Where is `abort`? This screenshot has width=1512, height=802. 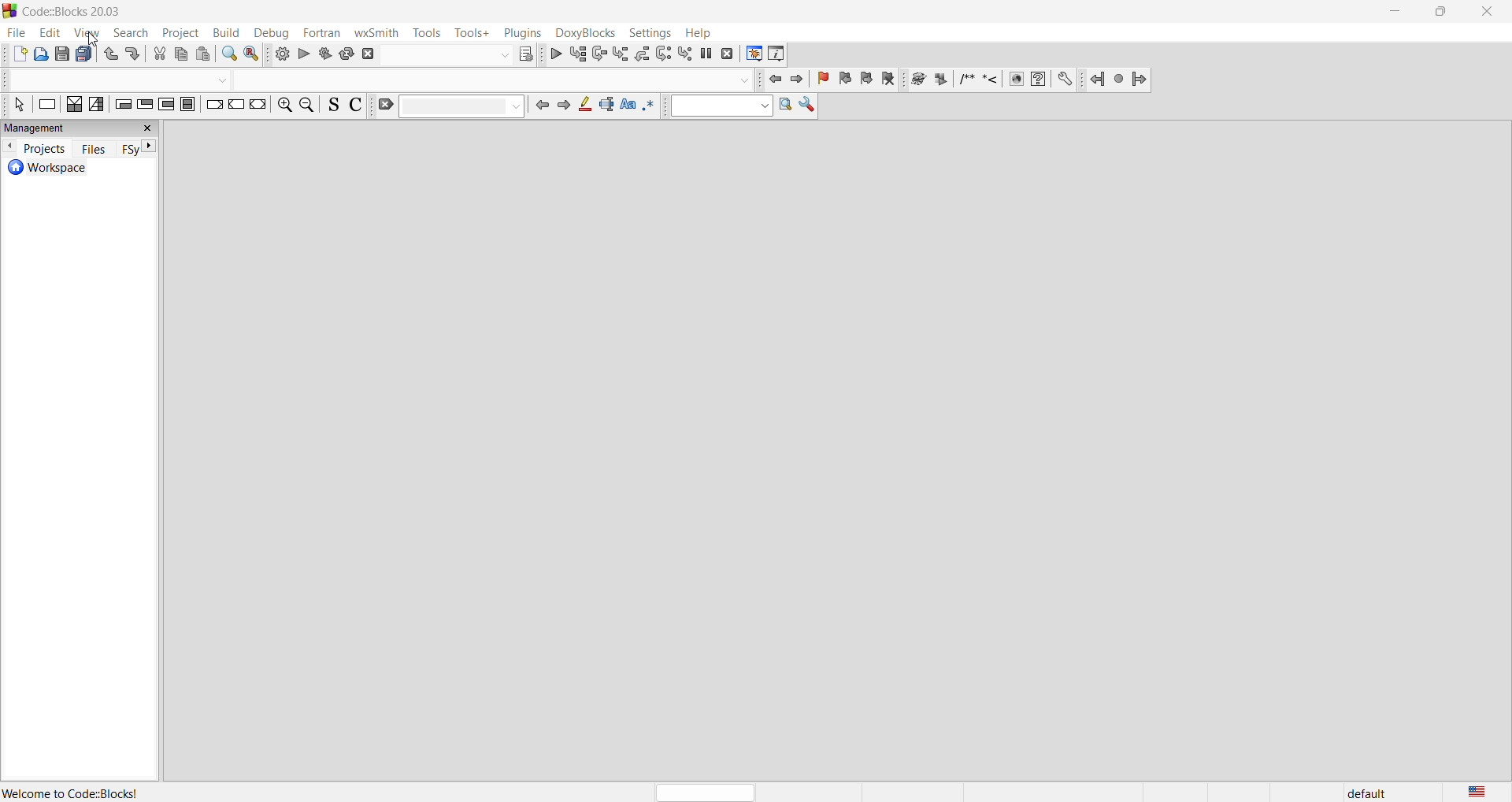
abort is located at coordinates (367, 54).